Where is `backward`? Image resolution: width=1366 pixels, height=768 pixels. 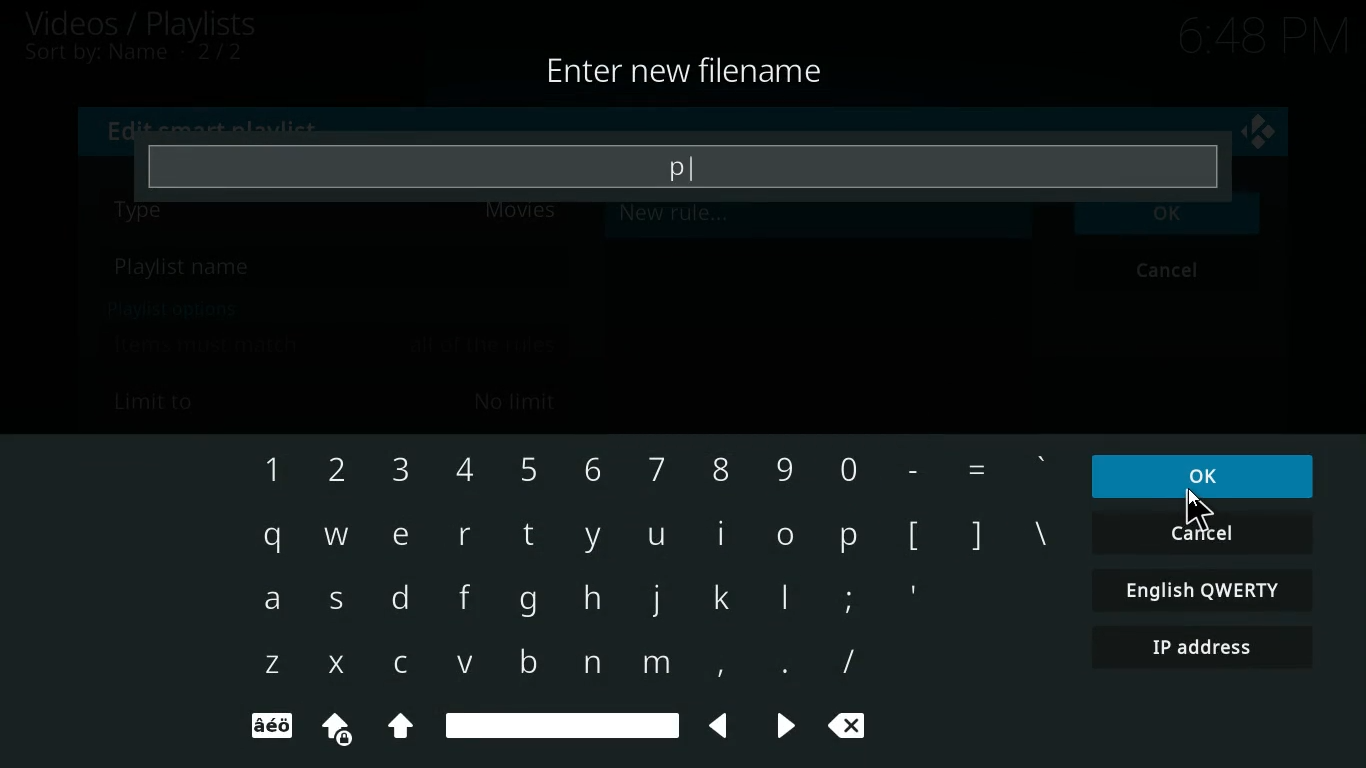
backward is located at coordinates (712, 726).